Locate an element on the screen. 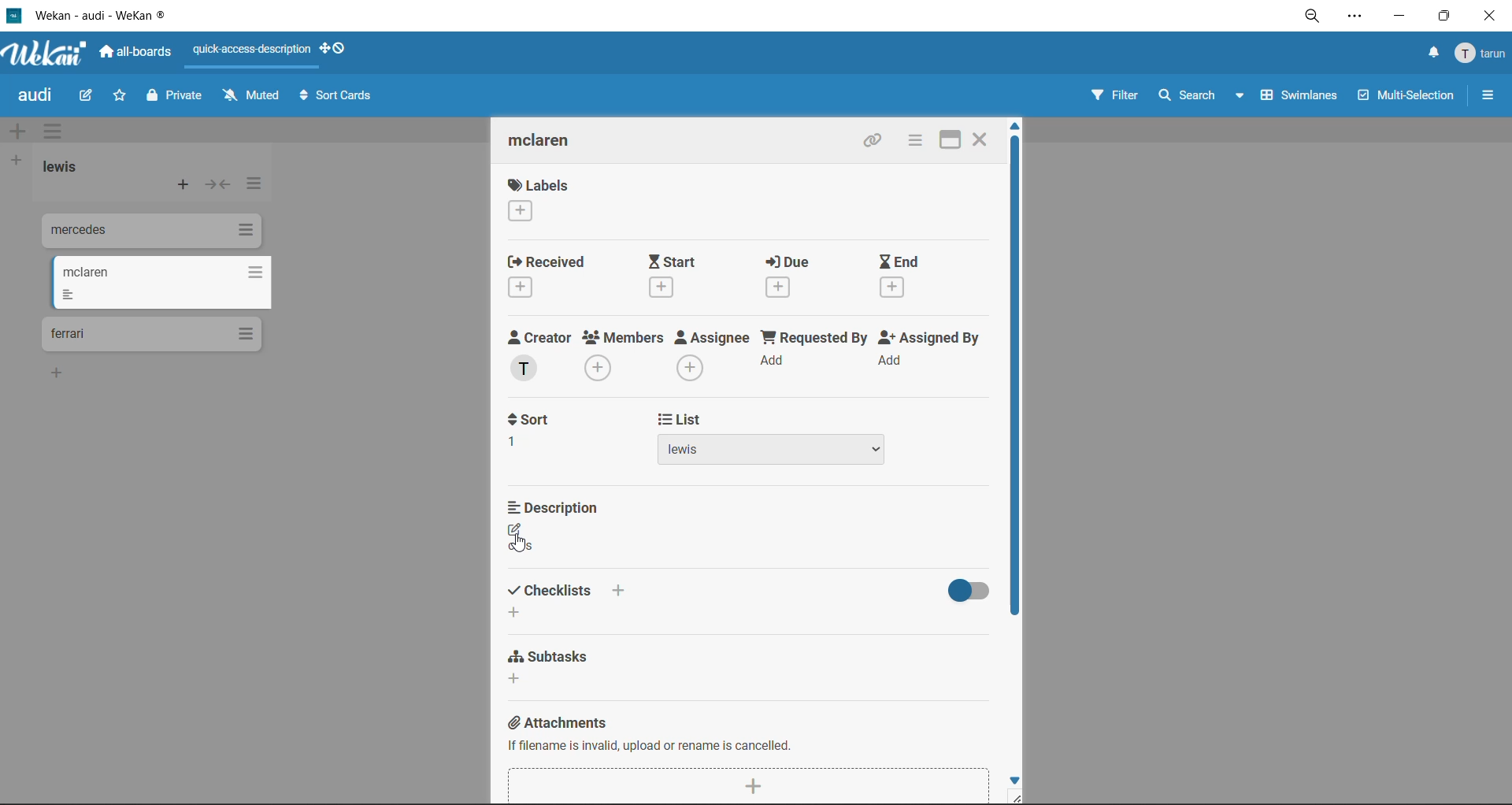 The image size is (1512, 805). board title is located at coordinates (39, 95).